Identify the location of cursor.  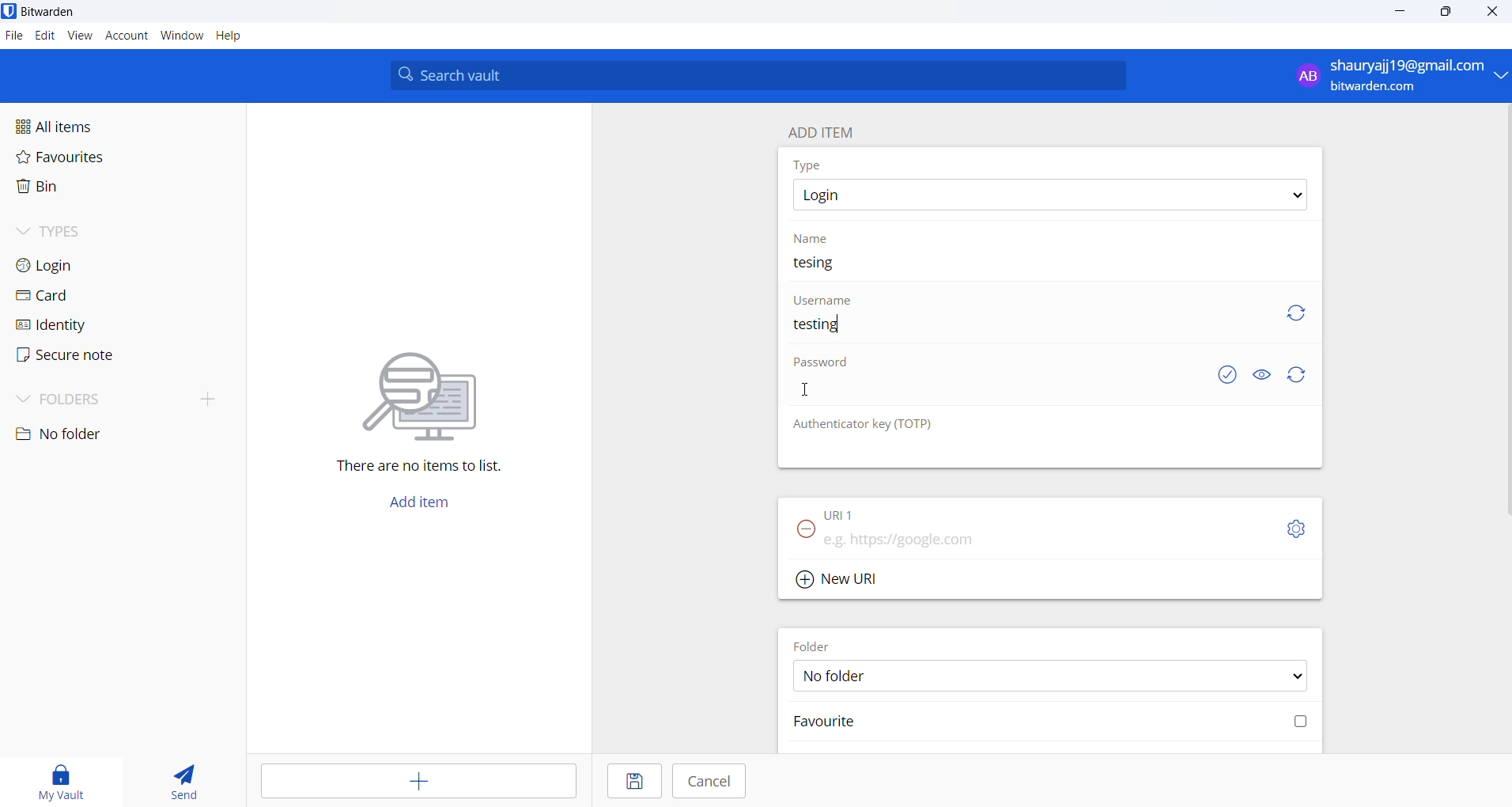
(807, 391).